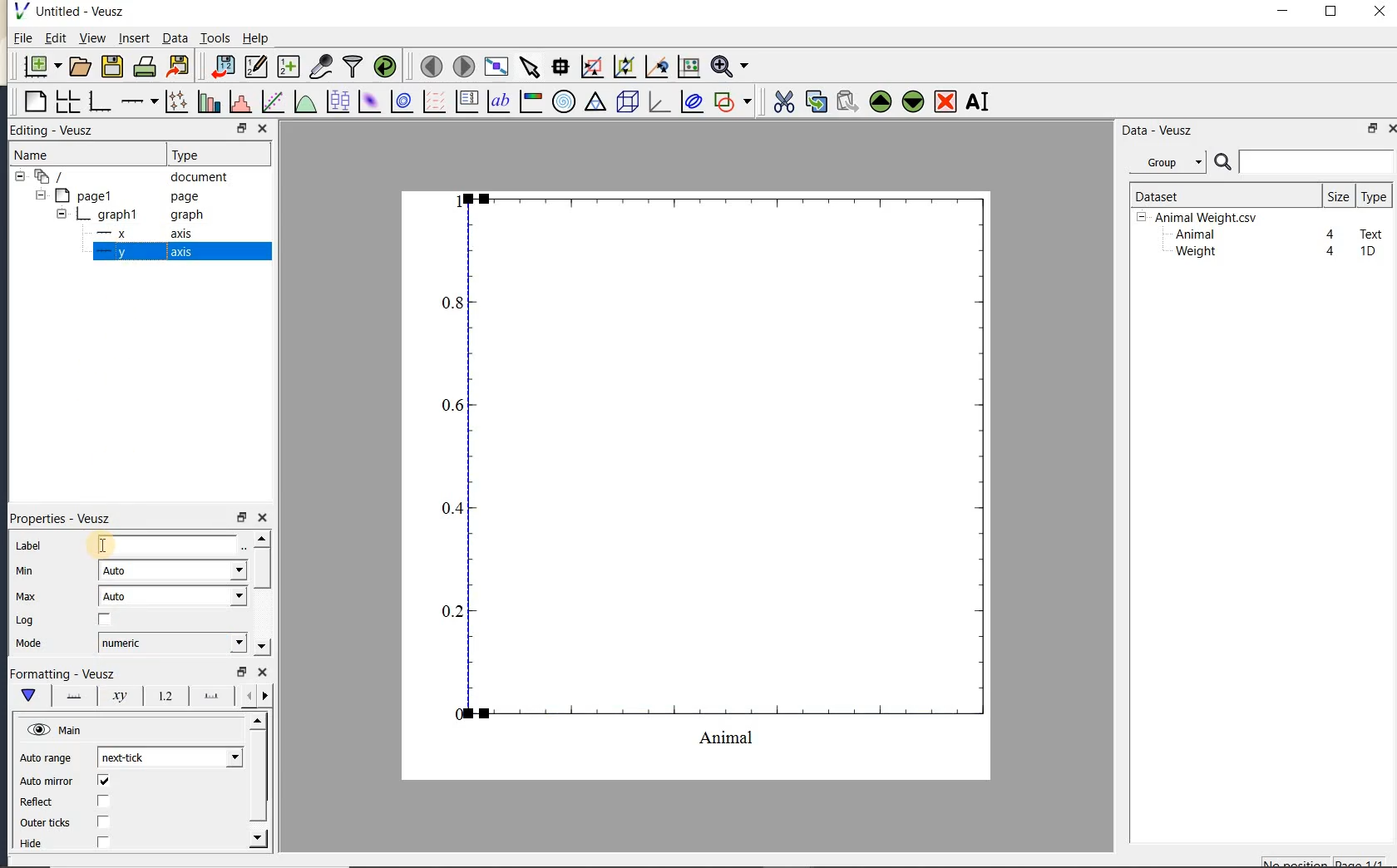 Image resolution: width=1397 pixels, height=868 pixels. Describe the element at coordinates (215, 153) in the screenshot. I see `Type` at that location.